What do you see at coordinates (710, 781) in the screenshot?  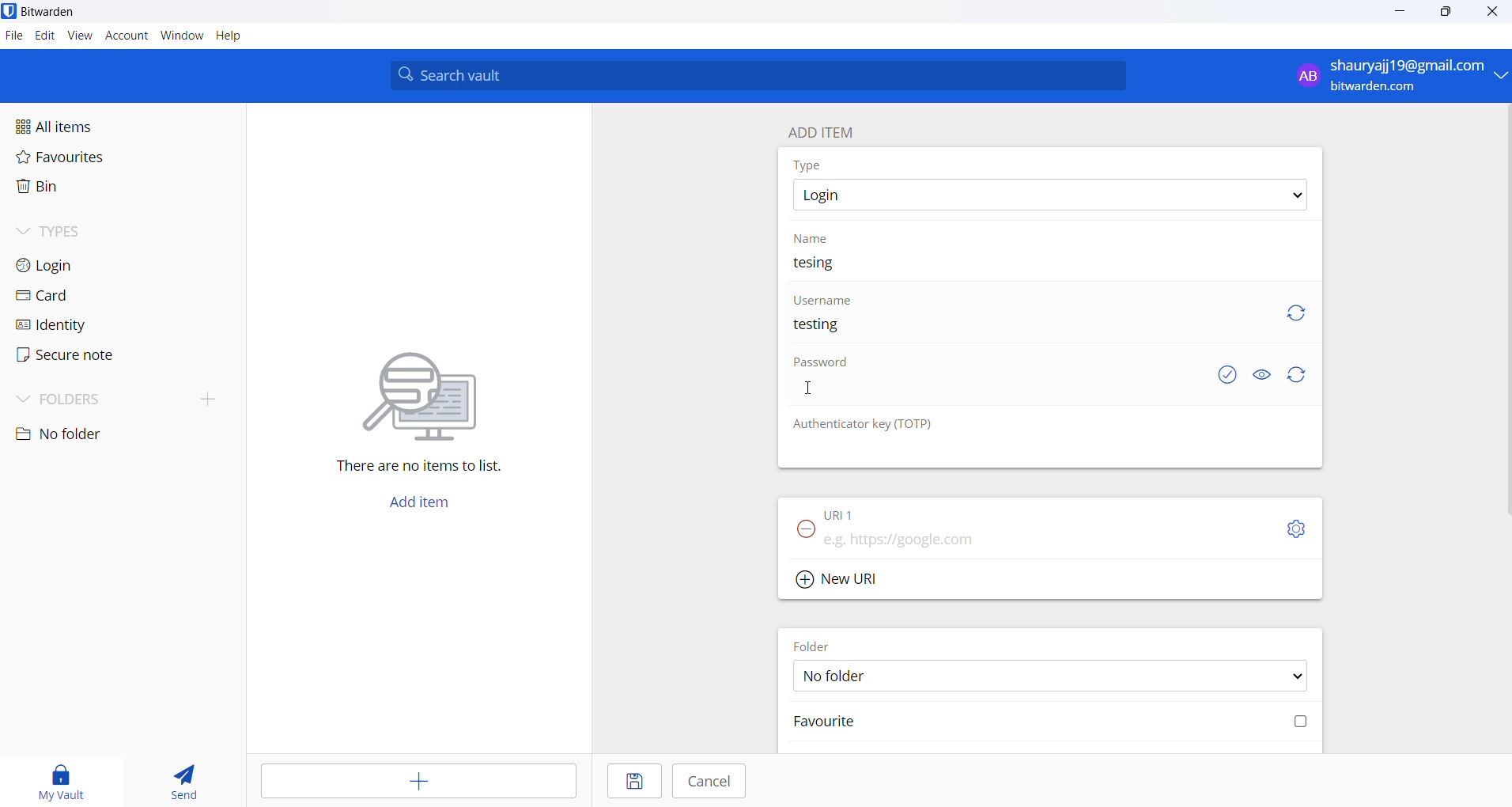 I see `Cancel` at bounding box center [710, 781].